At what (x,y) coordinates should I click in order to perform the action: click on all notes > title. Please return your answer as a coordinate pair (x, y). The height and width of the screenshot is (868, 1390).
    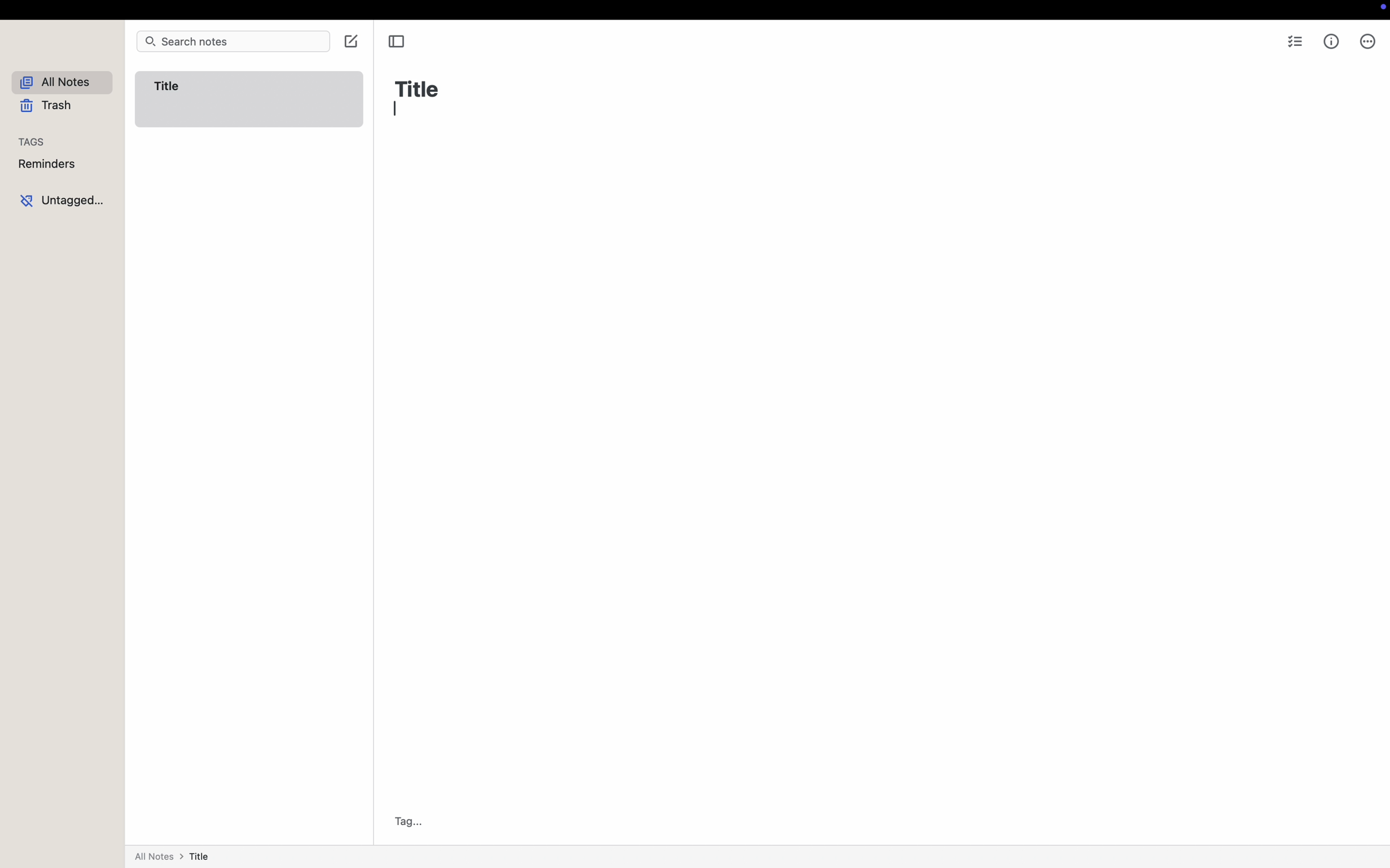
    Looking at the image, I should click on (176, 857).